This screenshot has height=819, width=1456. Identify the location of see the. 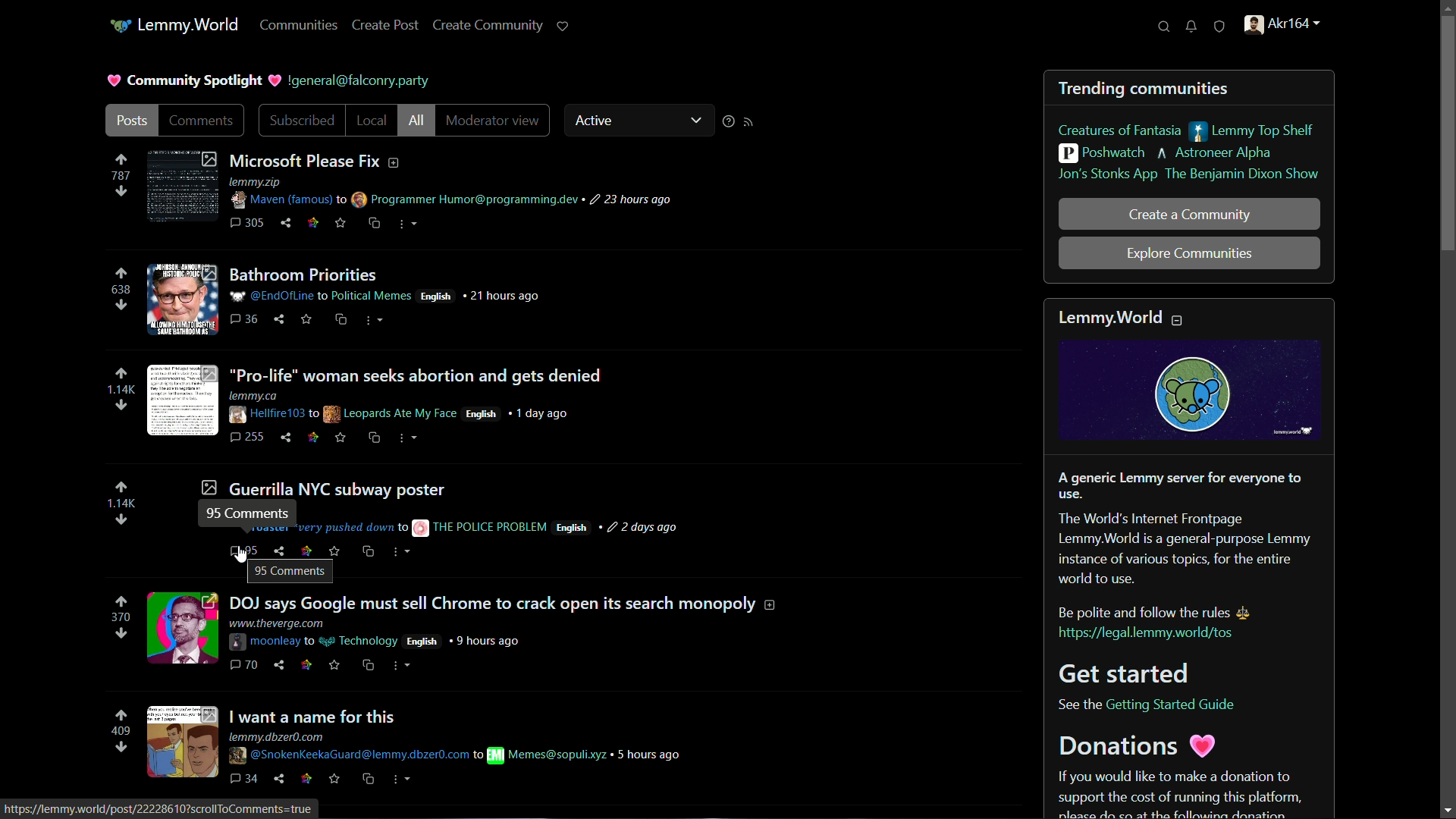
(1077, 704).